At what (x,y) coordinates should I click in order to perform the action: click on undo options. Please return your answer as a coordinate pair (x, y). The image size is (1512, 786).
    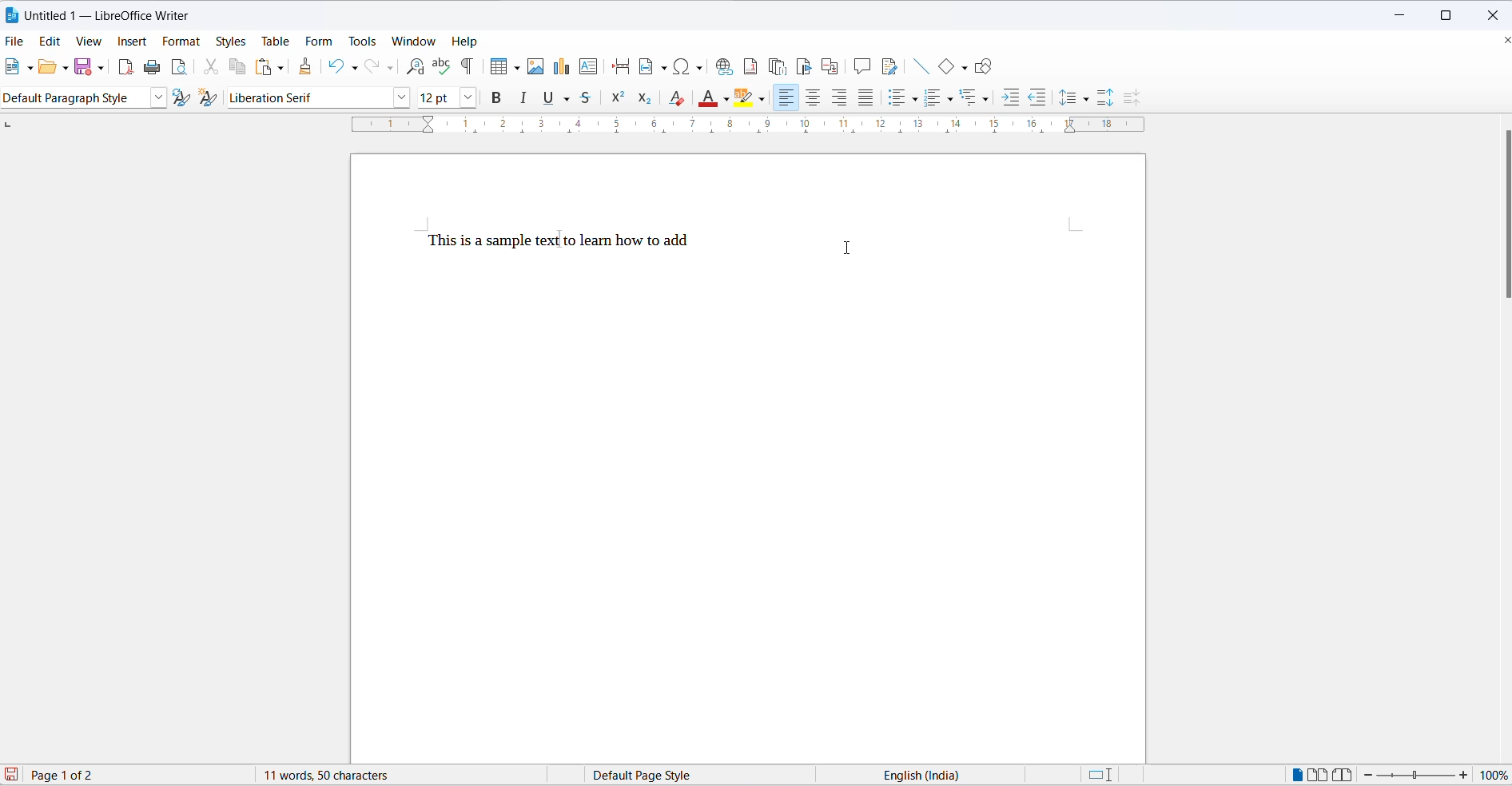
    Looking at the image, I should click on (356, 66).